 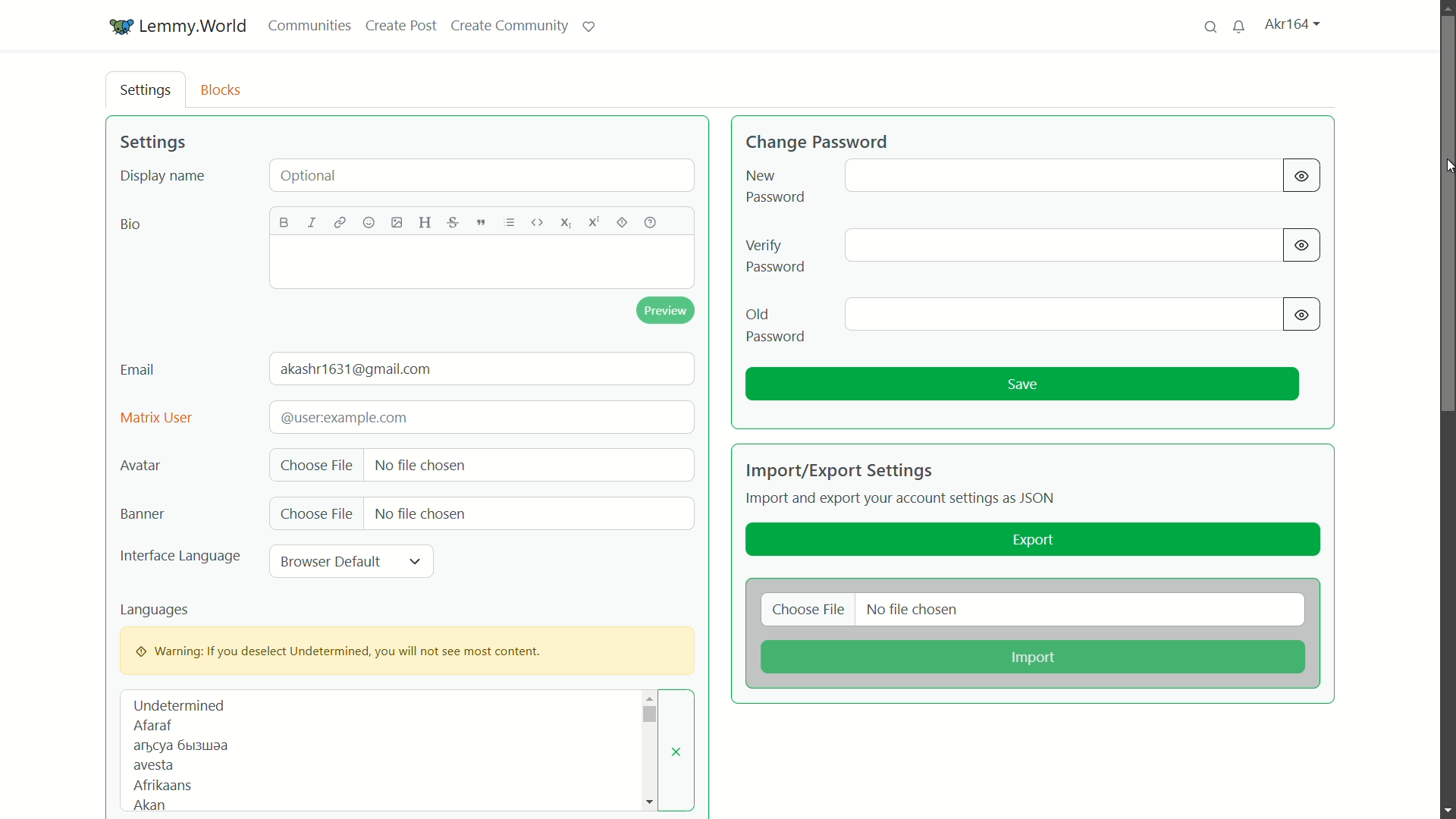 What do you see at coordinates (538, 223) in the screenshot?
I see `code` at bounding box center [538, 223].